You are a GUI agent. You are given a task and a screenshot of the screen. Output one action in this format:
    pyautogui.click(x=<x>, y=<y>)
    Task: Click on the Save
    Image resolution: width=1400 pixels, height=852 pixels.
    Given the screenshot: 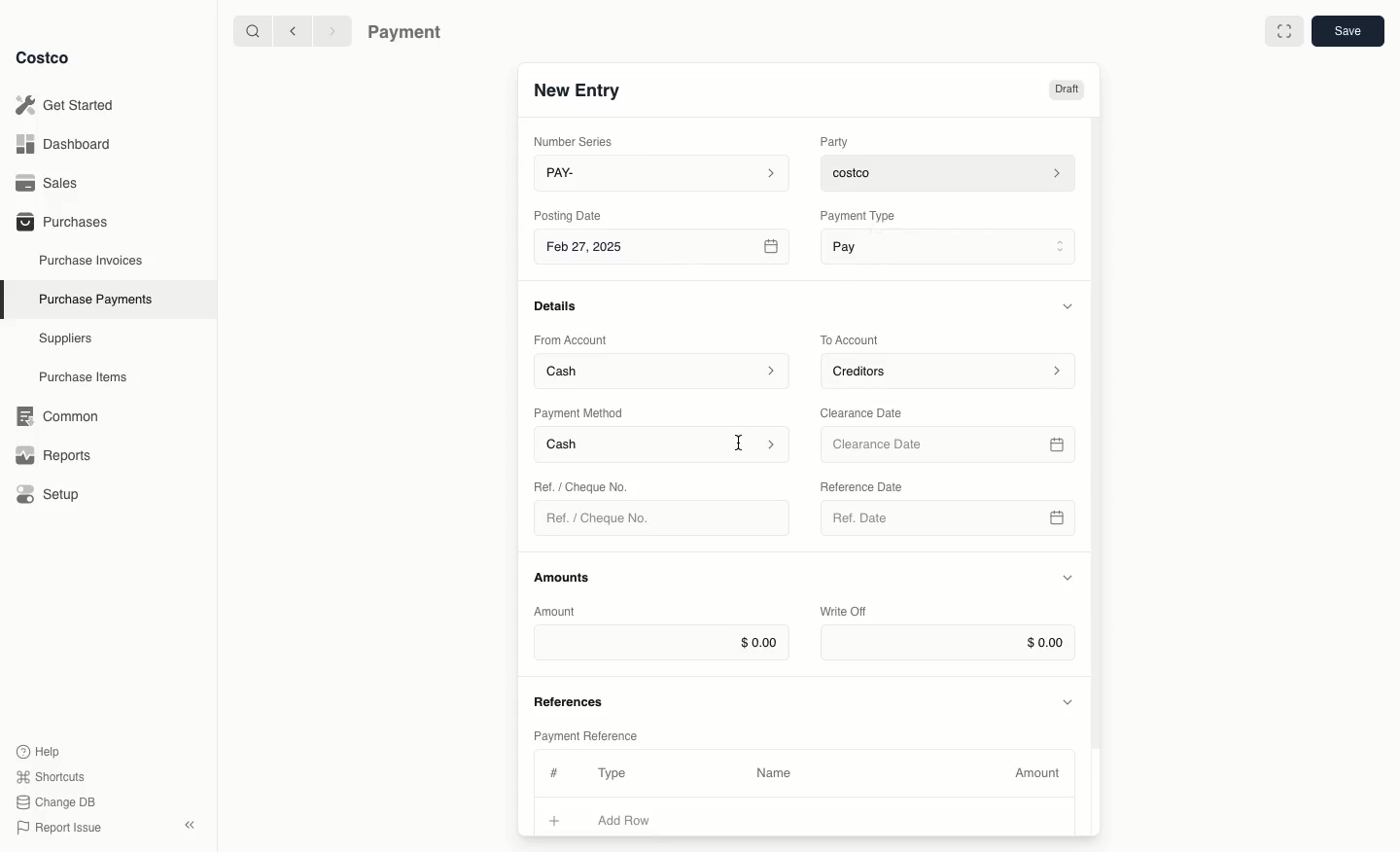 What is the action you would take?
    pyautogui.click(x=1347, y=30)
    